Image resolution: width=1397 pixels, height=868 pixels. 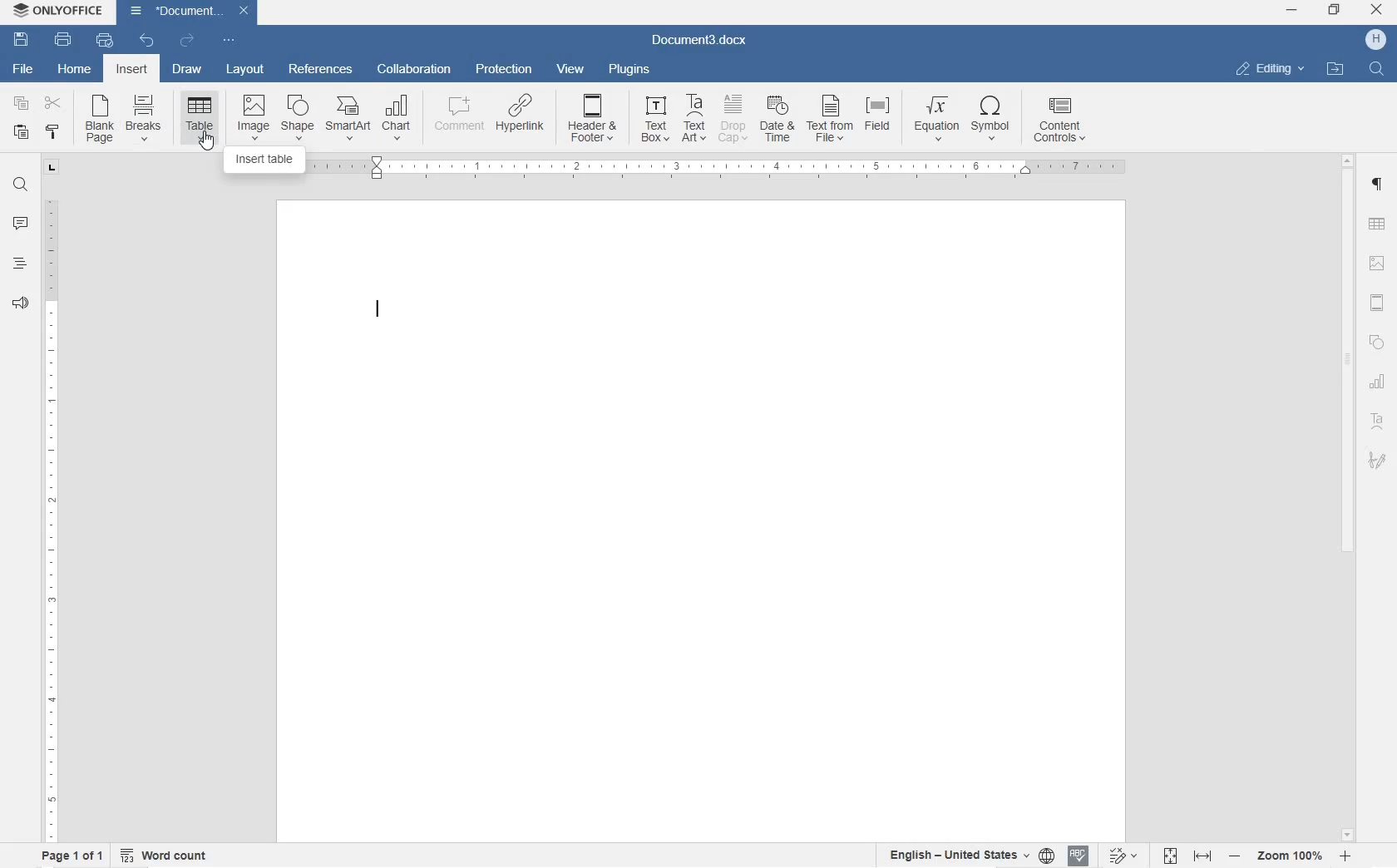 What do you see at coordinates (227, 40) in the screenshot?
I see `CUSTOMIZE QUICK ACCESS TOOLBAR` at bounding box center [227, 40].